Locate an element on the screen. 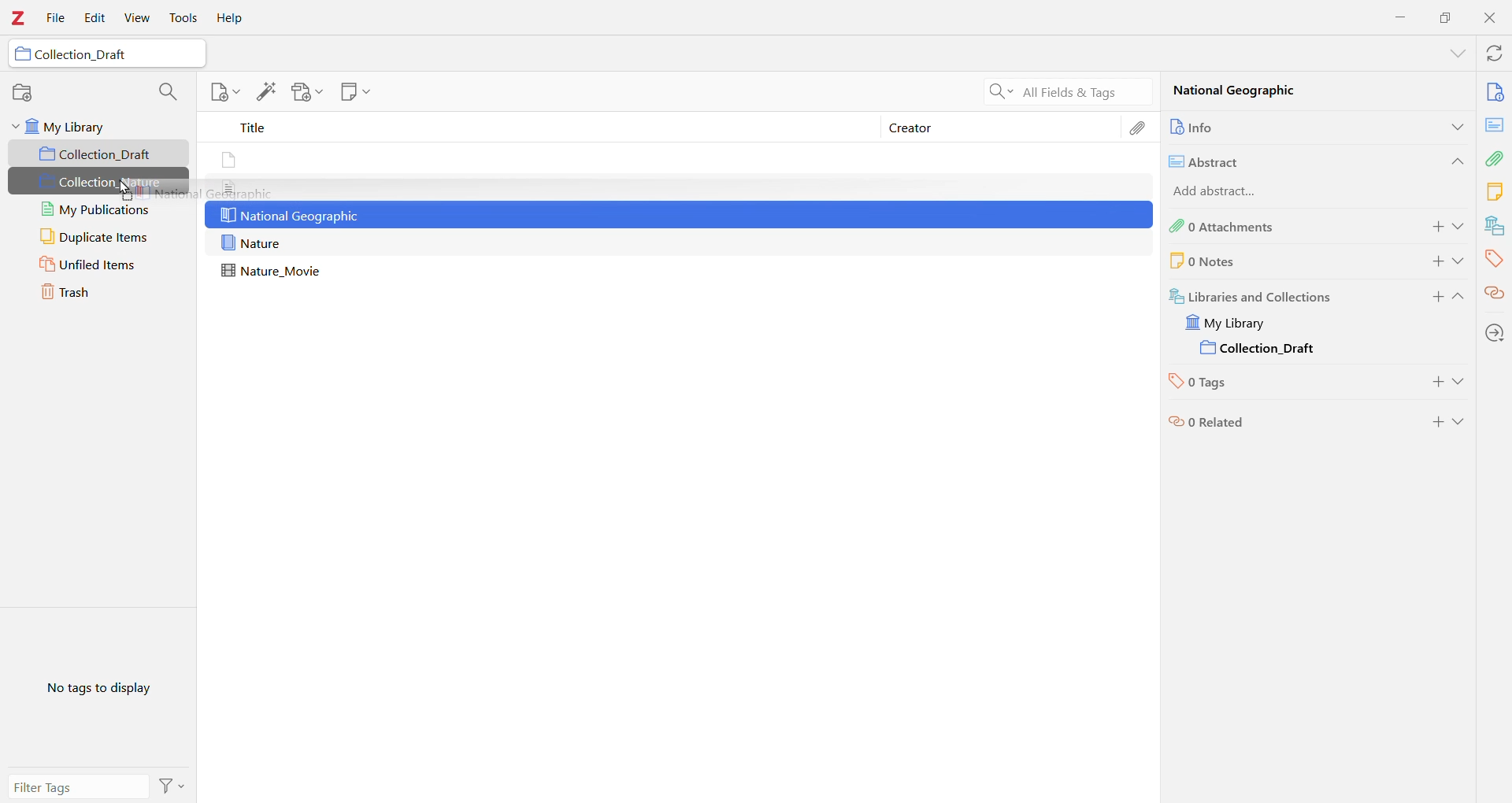 The width and height of the screenshot is (1512, 803). Attachments is located at coordinates (1496, 157).